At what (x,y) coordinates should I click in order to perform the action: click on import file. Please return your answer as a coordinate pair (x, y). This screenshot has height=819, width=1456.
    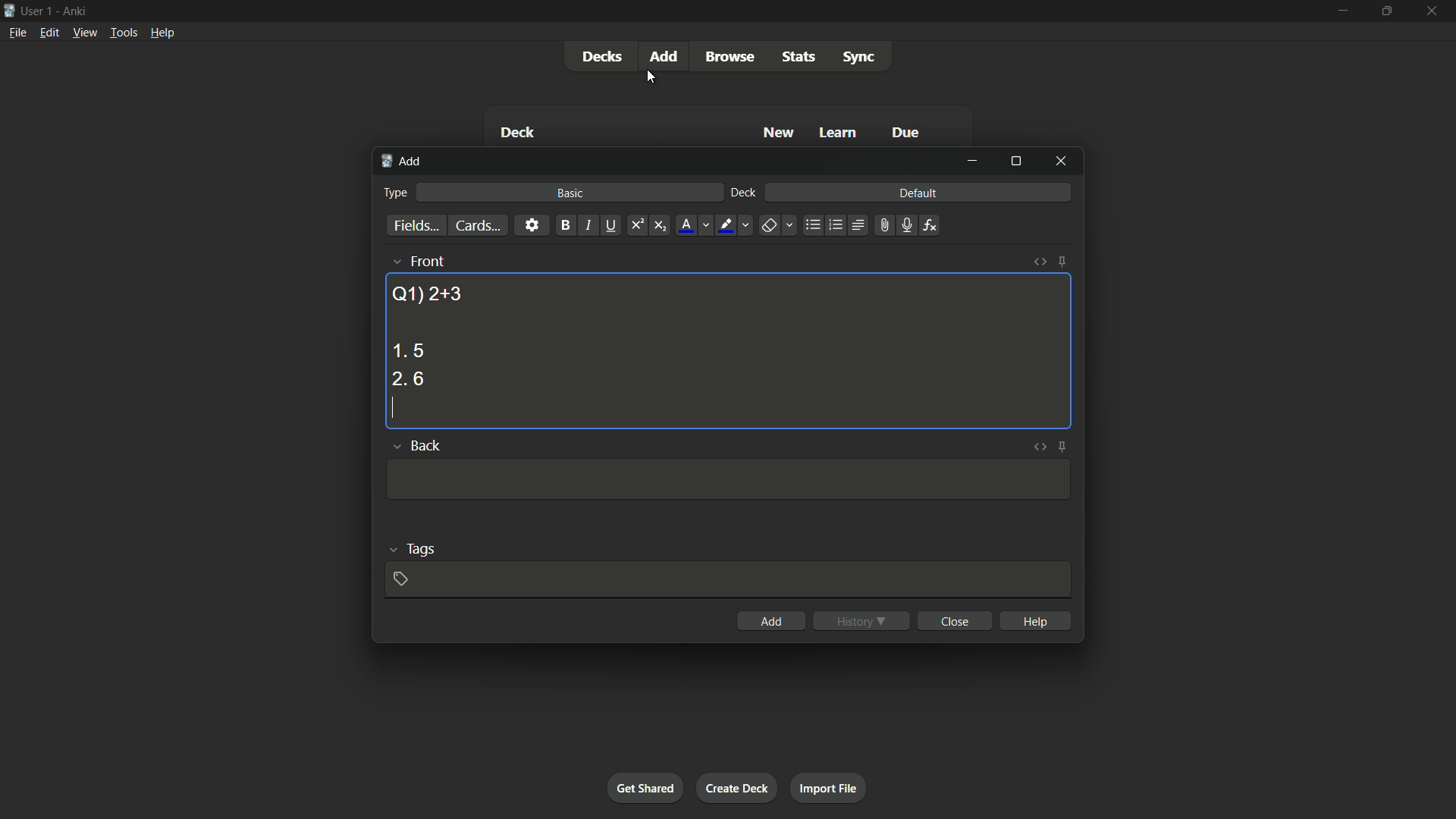
    Looking at the image, I should click on (827, 786).